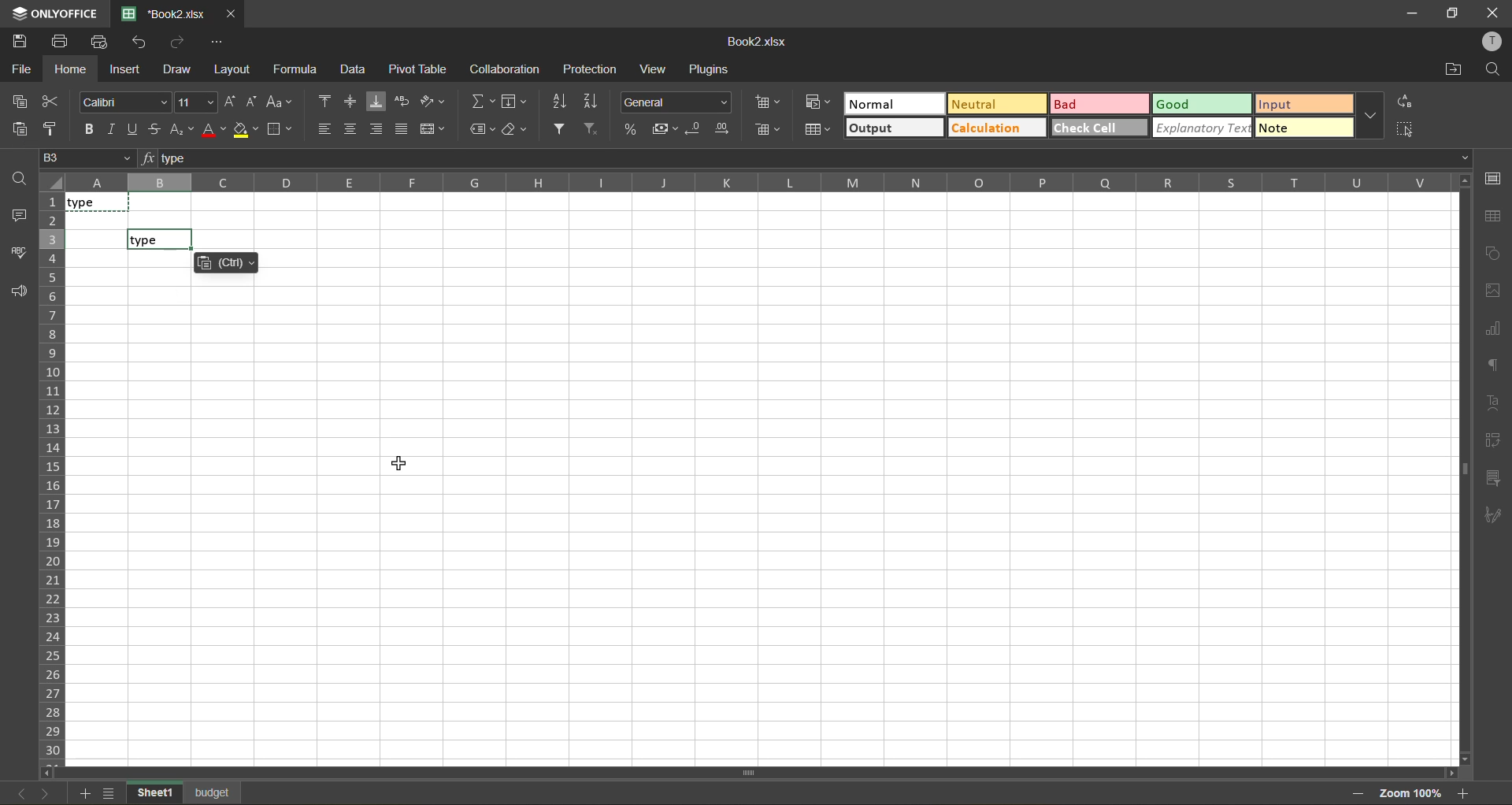 This screenshot has height=805, width=1512. I want to click on sort ascending, so click(559, 104).